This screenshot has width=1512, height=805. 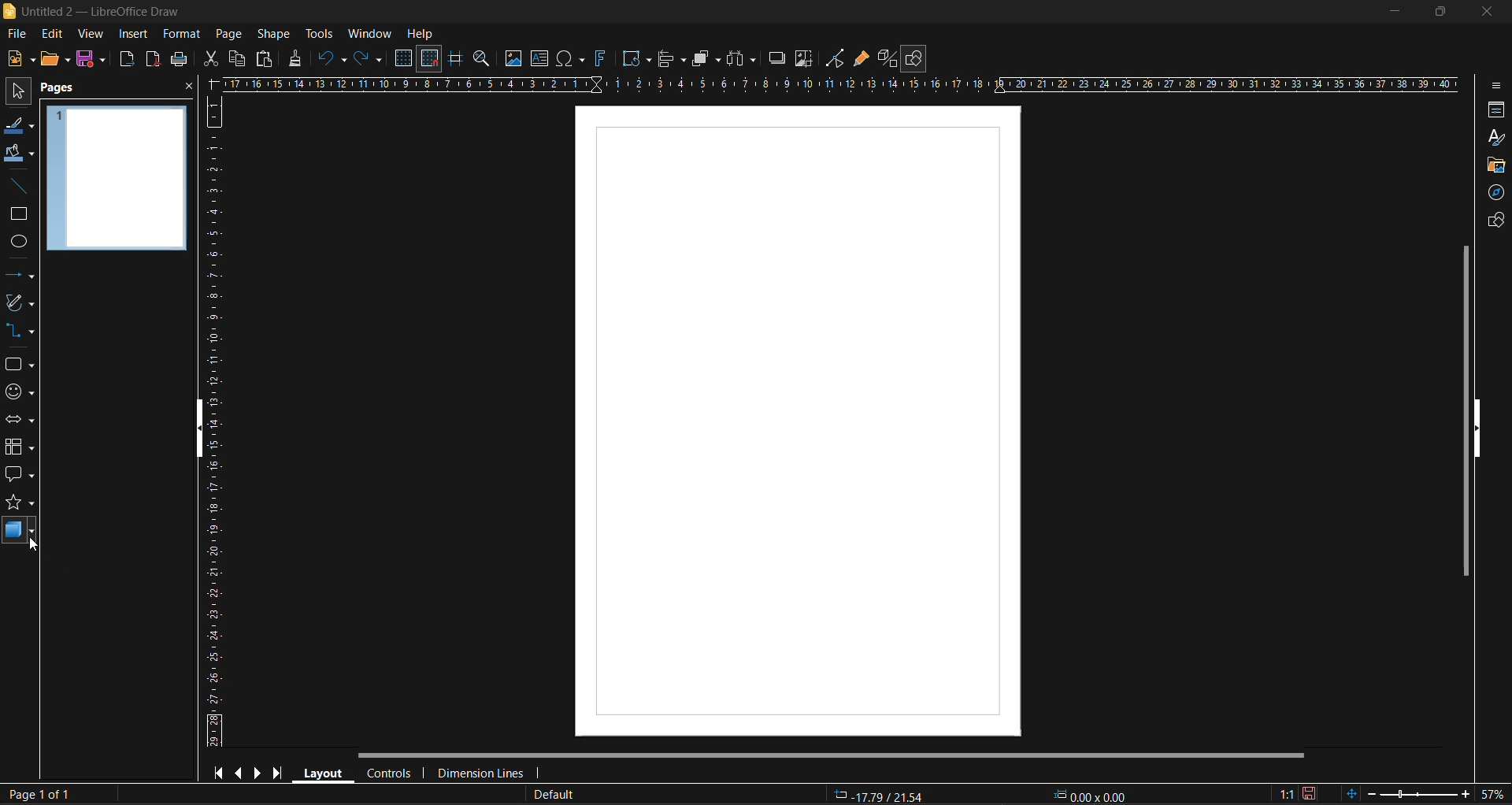 I want to click on format, so click(x=183, y=35).